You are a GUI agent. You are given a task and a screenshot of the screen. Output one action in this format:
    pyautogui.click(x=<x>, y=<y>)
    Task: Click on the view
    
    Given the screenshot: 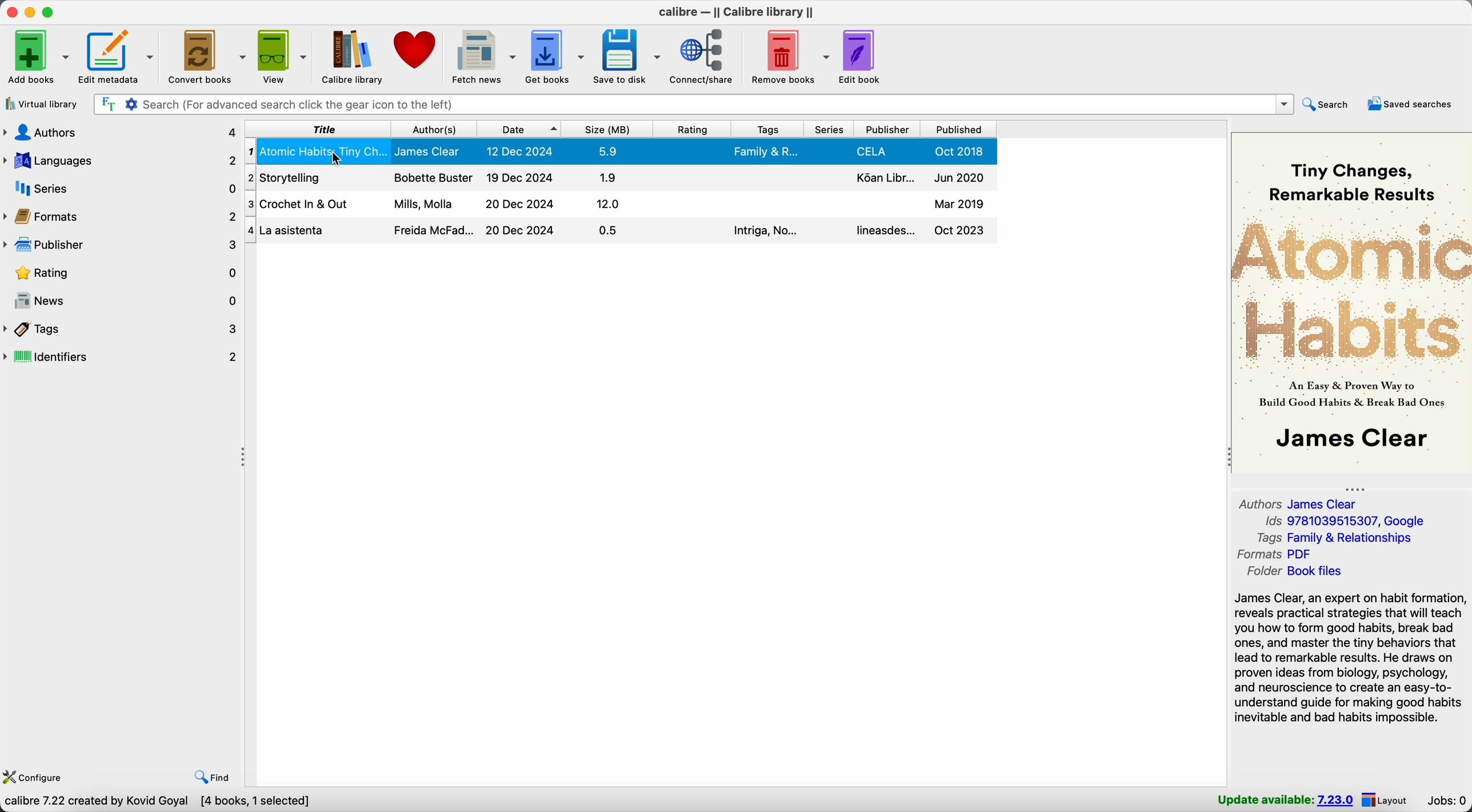 What is the action you would take?
    pyautogui.click(x=284, y=55)
    